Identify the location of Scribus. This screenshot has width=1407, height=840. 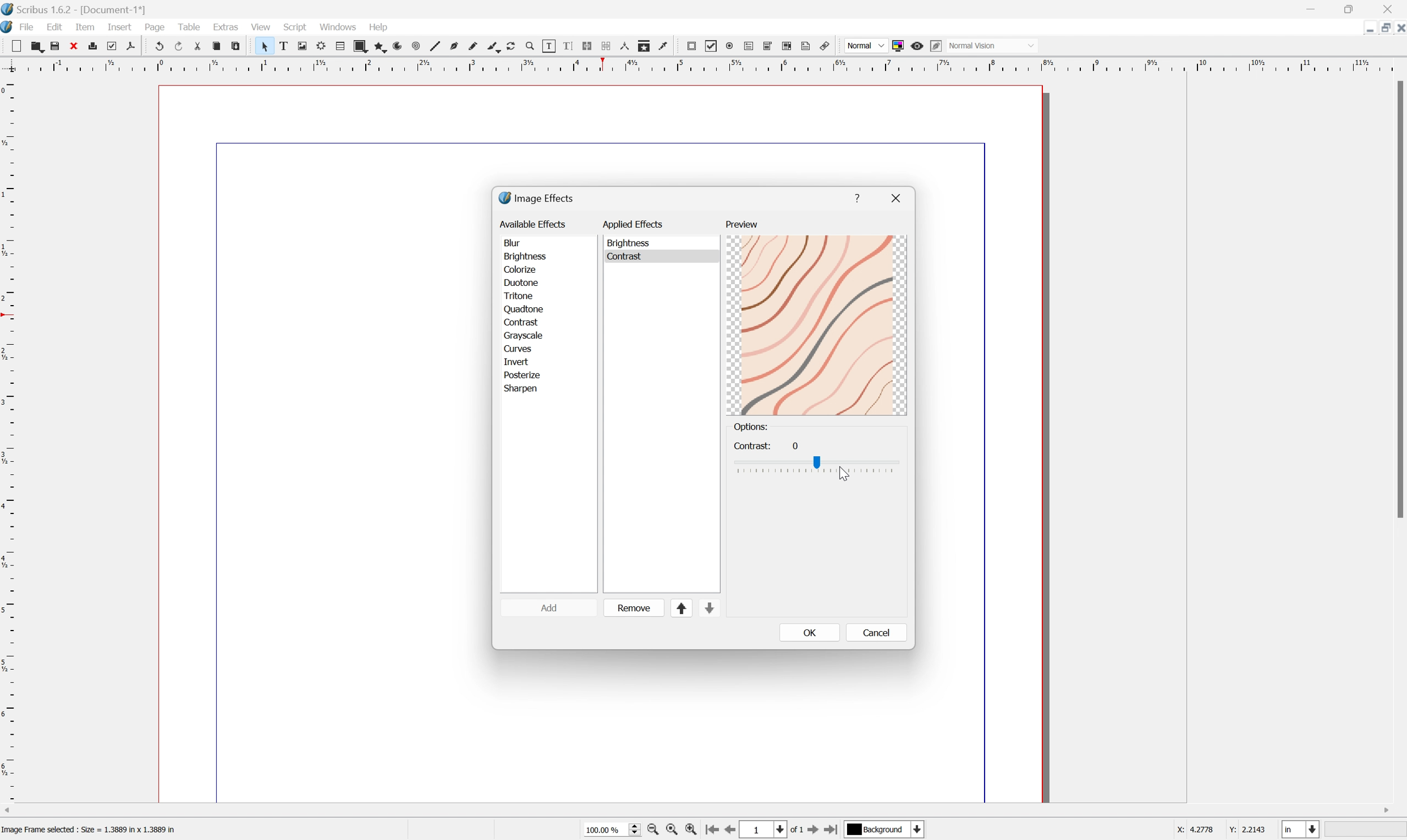
(9, 27).